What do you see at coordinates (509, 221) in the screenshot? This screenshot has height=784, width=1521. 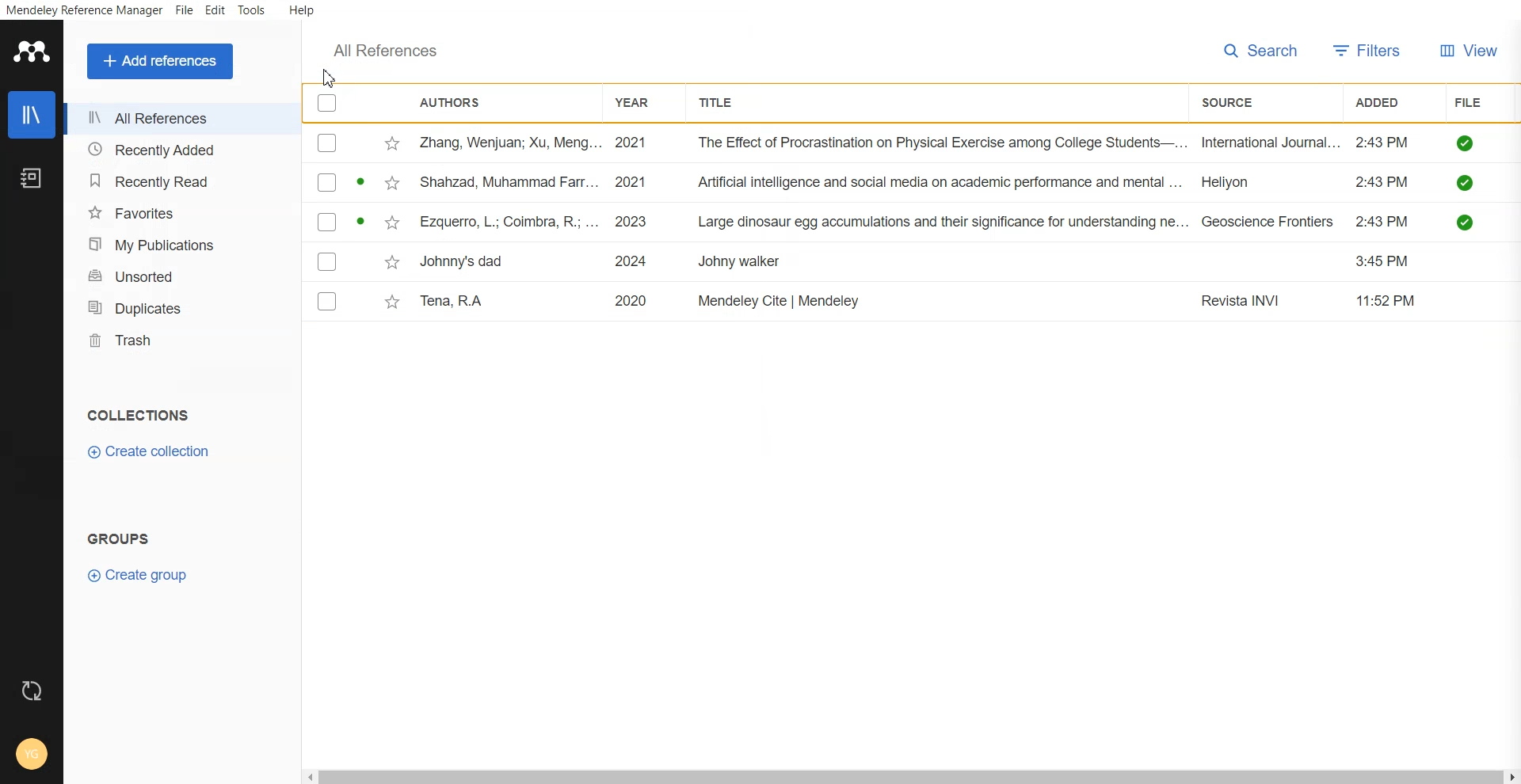 I see `Ezquerro, L.; Coimbra, R; ...` at bounding box center [509, 221].